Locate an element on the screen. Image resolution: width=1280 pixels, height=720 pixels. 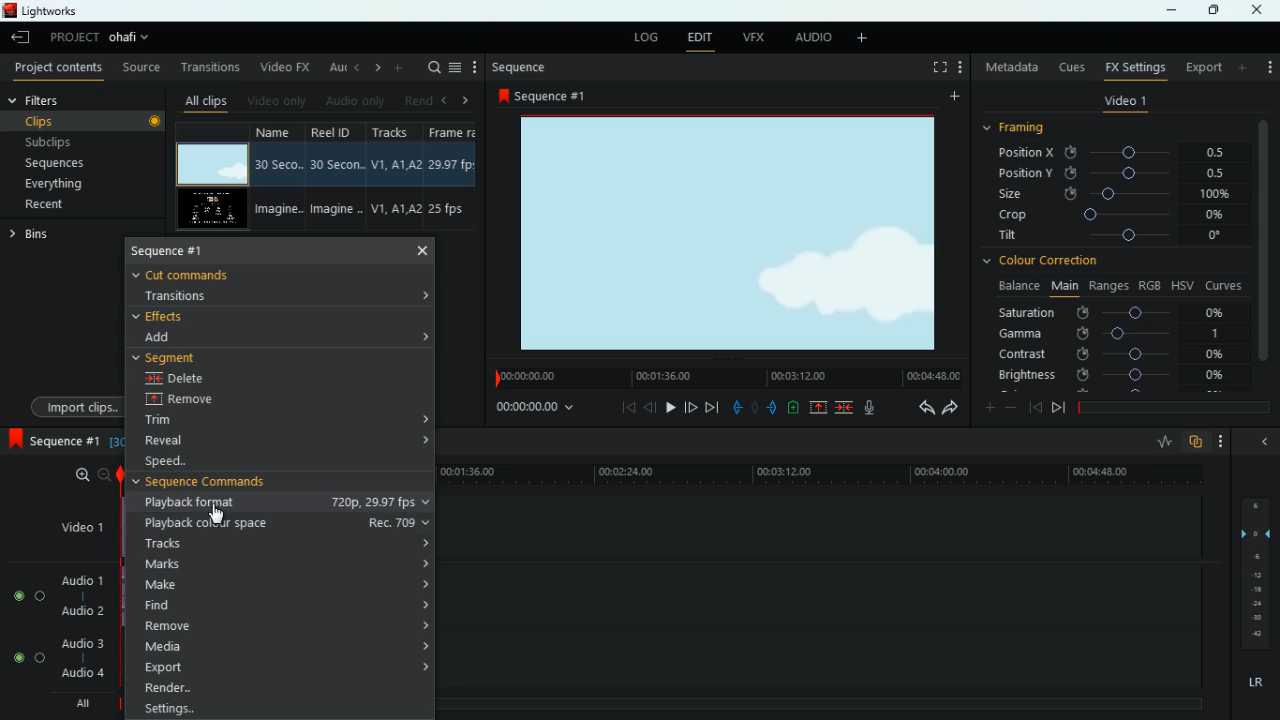
sequence is located at coordinates (521, 67).